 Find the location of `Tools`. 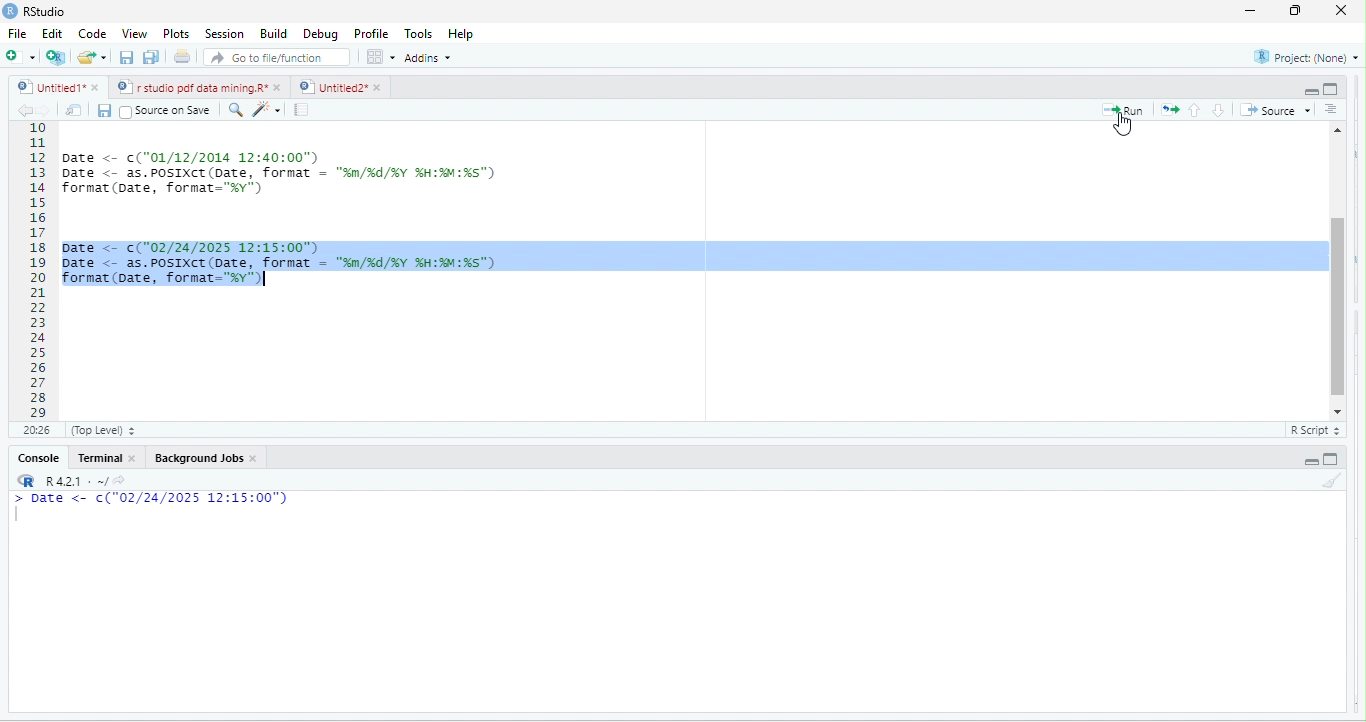

Tools is located at coordinates (416, 34).